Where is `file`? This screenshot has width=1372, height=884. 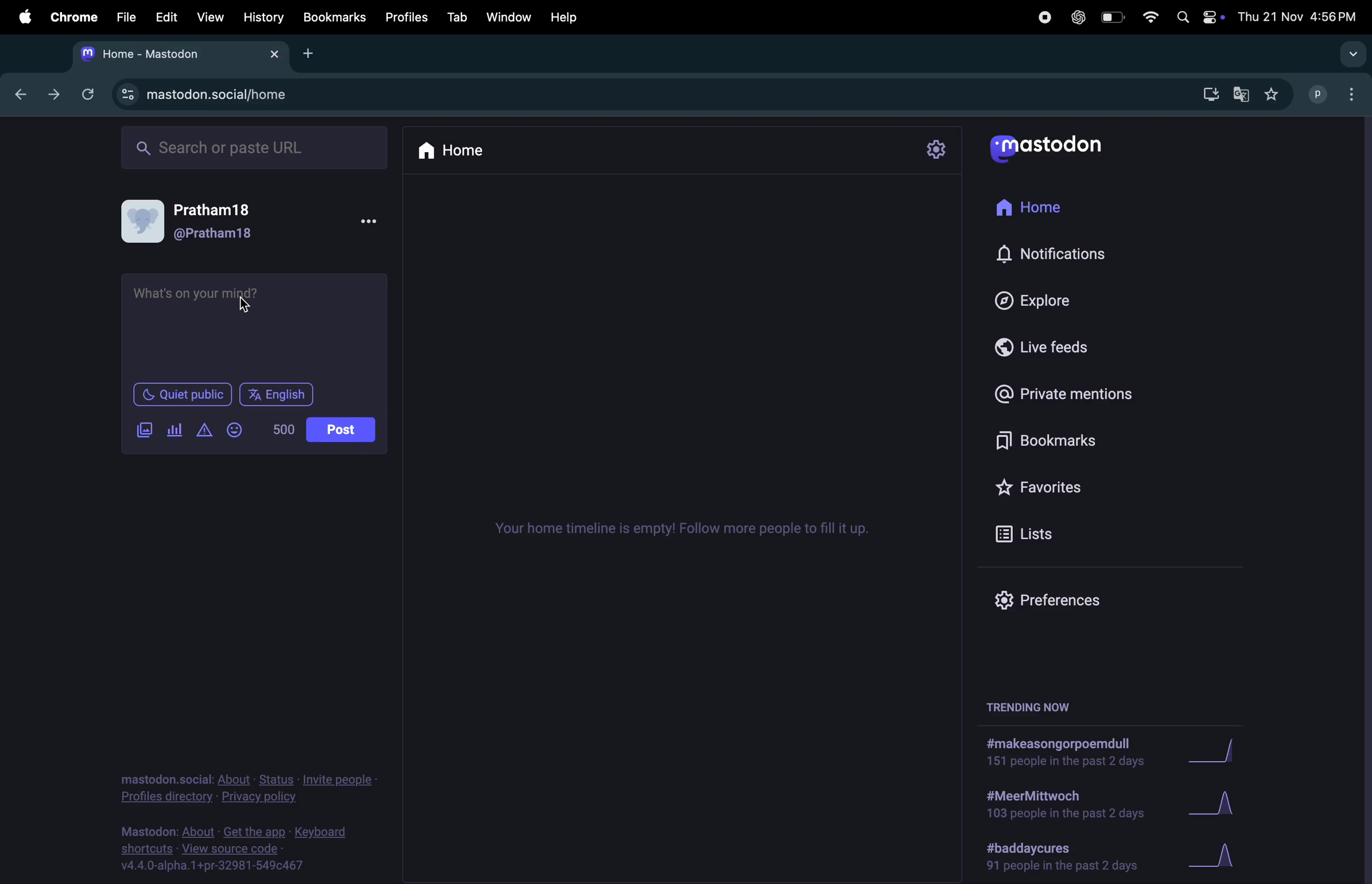
file is located at coordinates (122, 18).